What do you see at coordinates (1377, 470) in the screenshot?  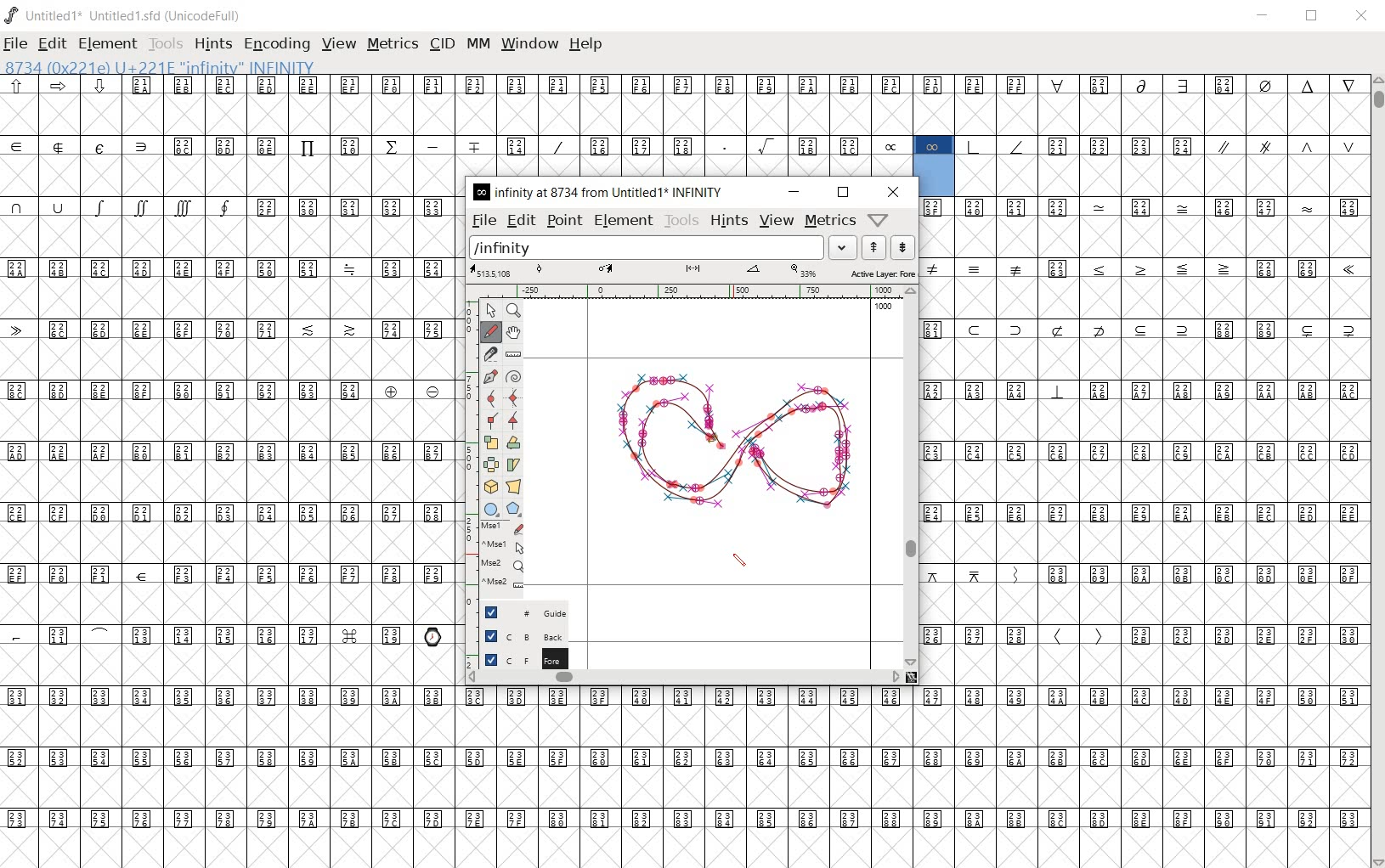 I see `scrollbar` at bounding box center [1377, 470].